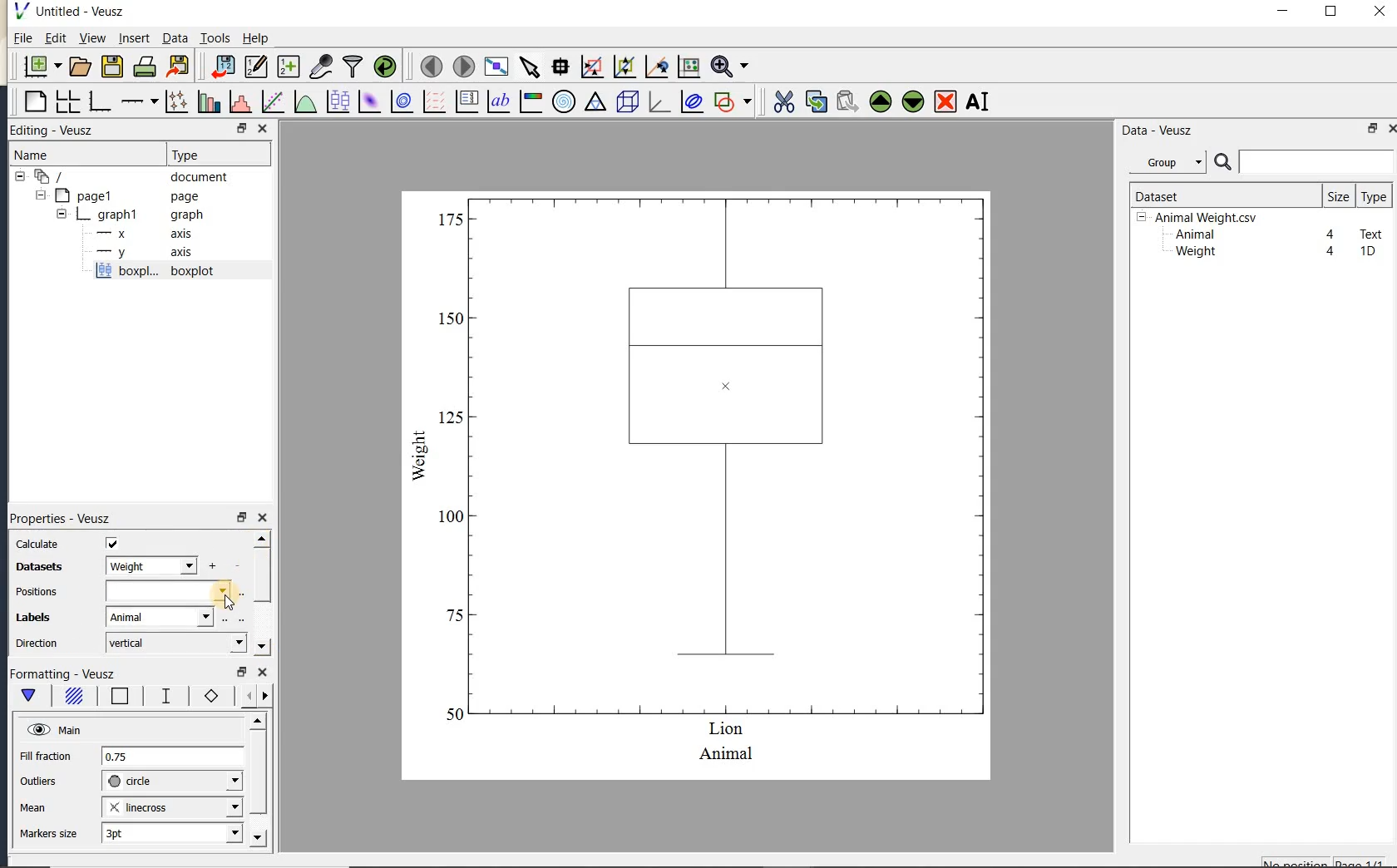 The height and width of the screenshot is (868, 1397). Describe the element at coordinates (462, 65) in the screenshot. I see `move to the next page` at that location.